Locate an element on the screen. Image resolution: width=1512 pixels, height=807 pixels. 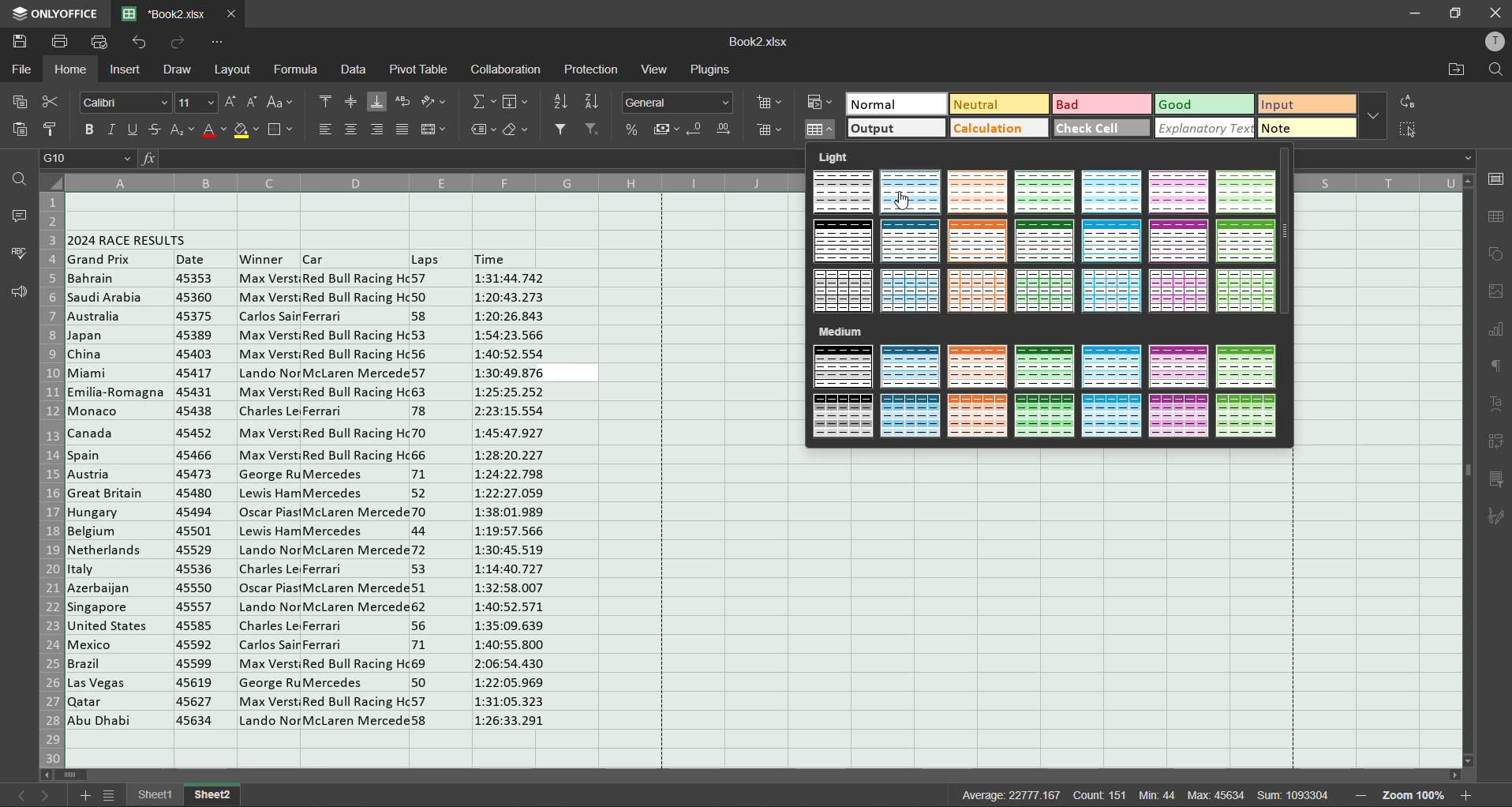
table style medium 7 is located at coordinates (1248, 369).